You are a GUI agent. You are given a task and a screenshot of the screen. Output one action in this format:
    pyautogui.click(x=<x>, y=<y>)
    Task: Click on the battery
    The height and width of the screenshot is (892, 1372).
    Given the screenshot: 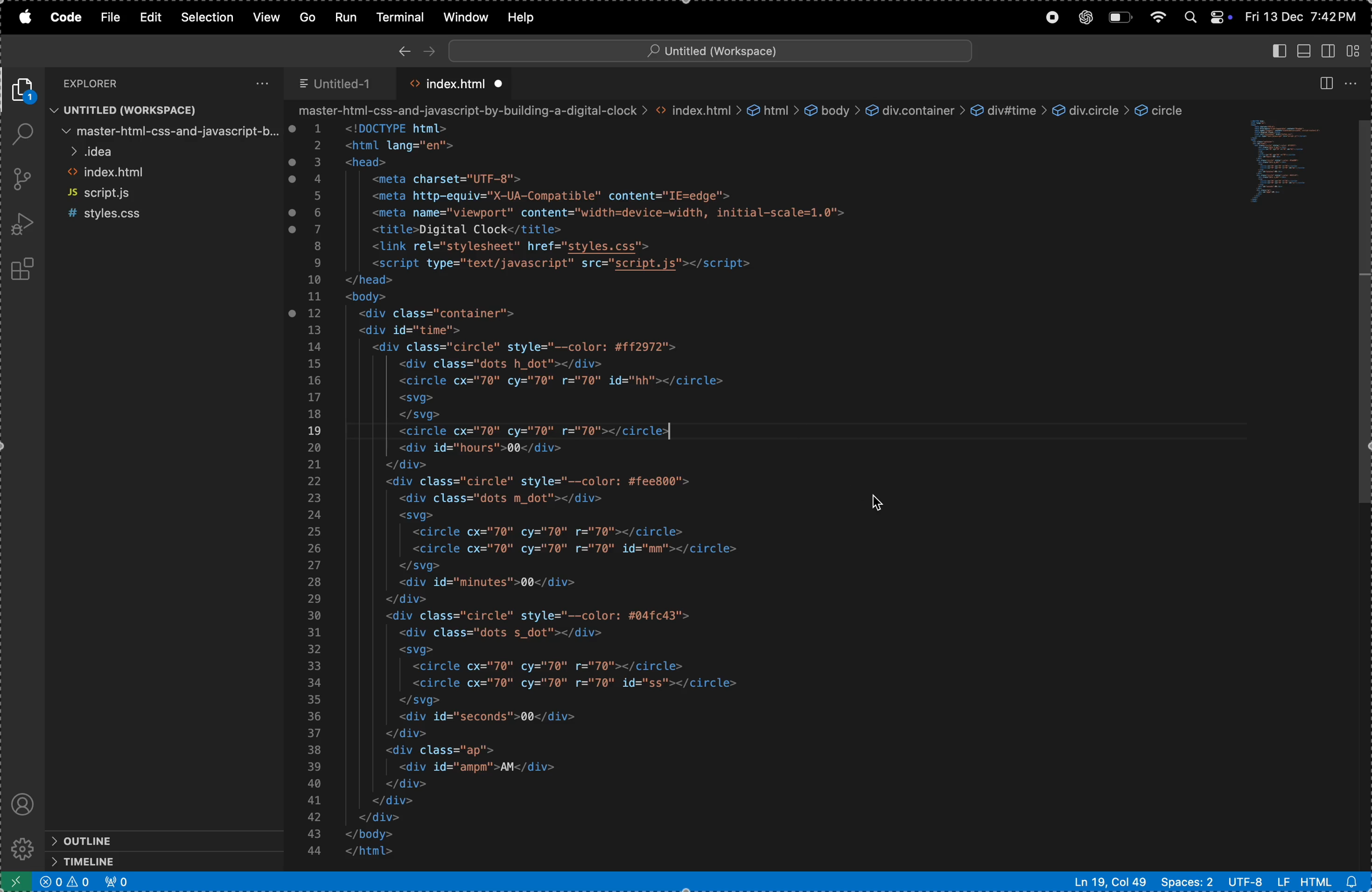 What is the action you would take?
    pyautogui.click(x=1122, y=17)
    